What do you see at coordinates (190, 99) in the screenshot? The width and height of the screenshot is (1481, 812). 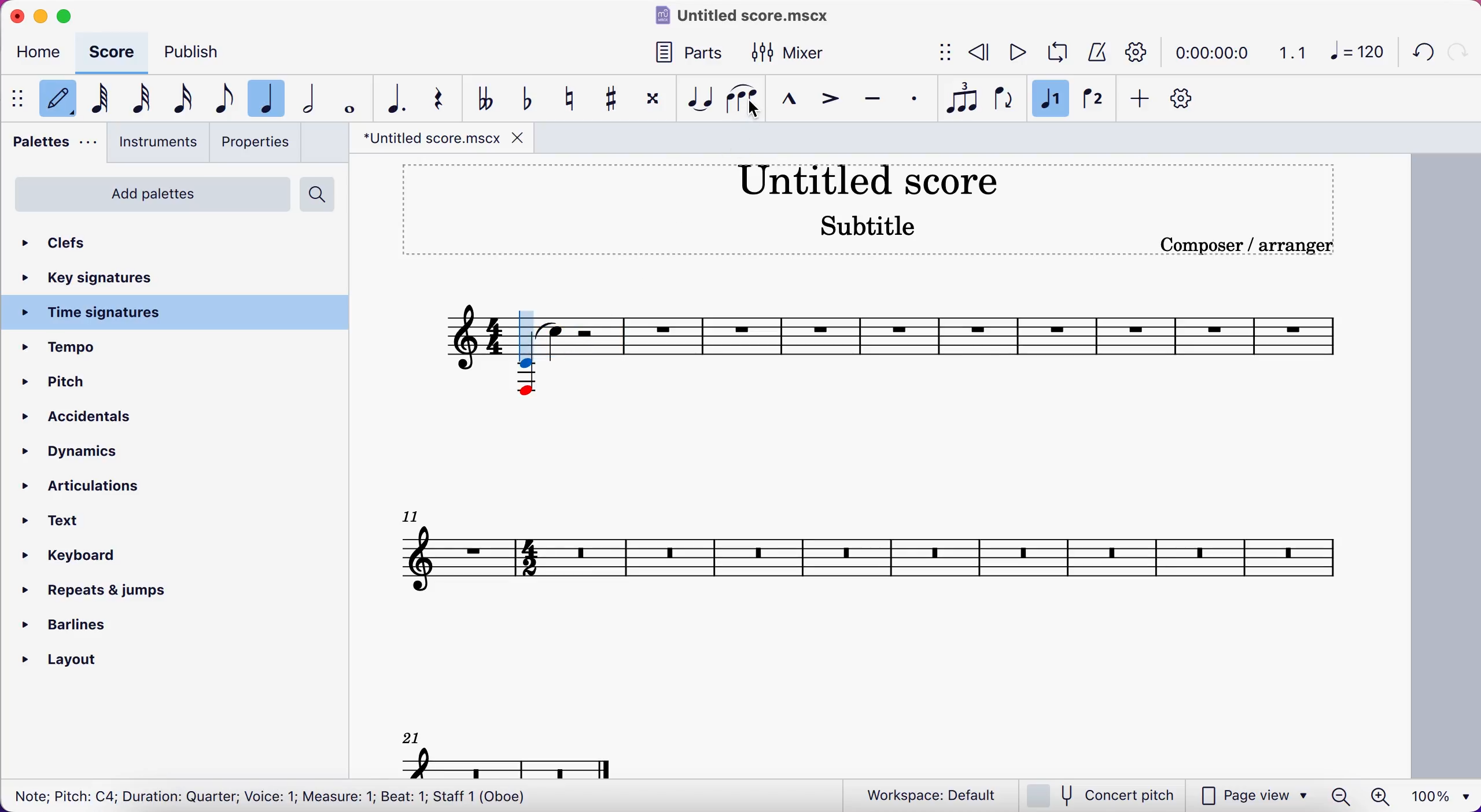 I see `16th note` at bounding box center [190, 99].